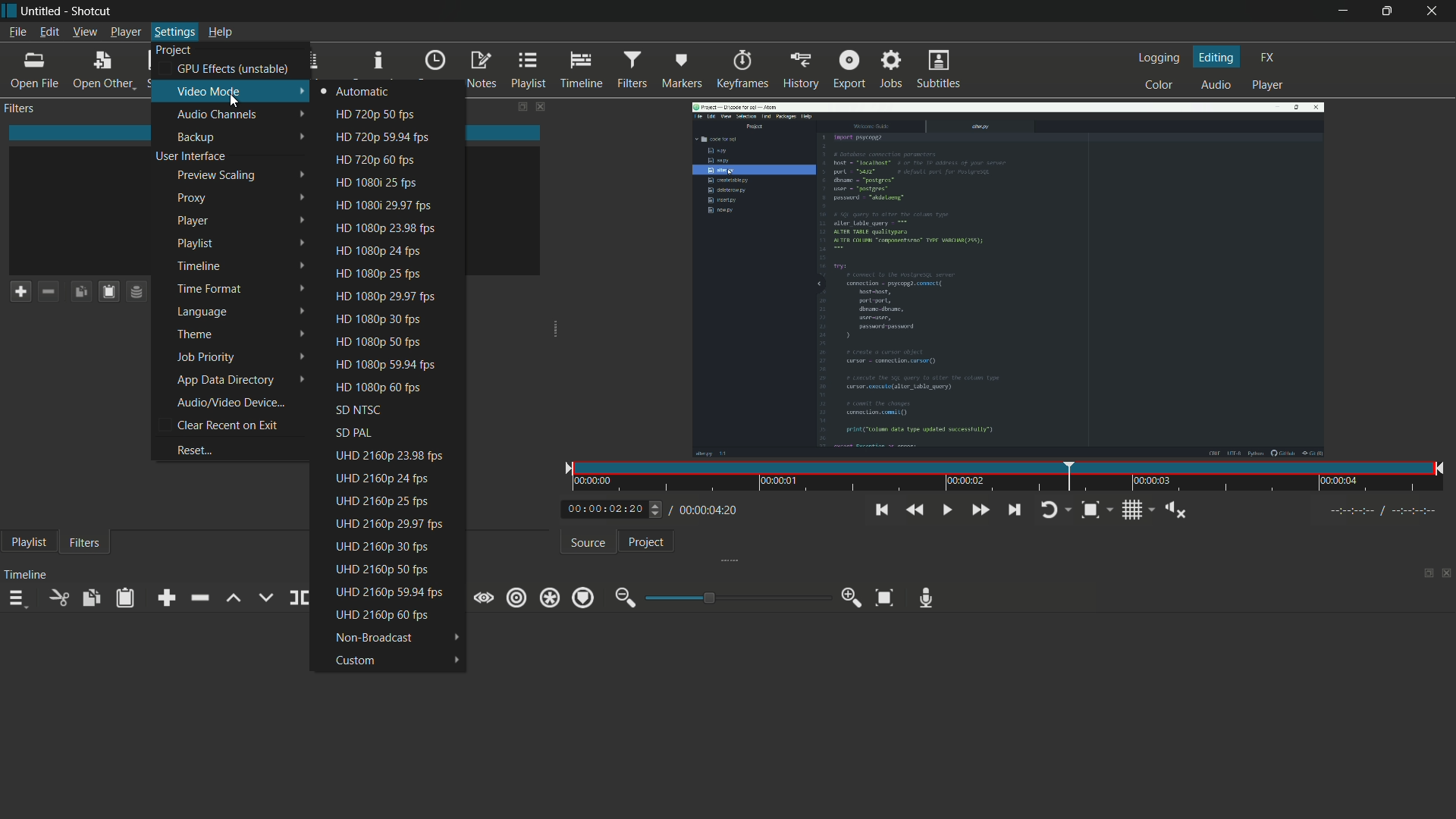 Image resolution: width=1456 pixels, height=819 pixels. What do you see at coordinates (1015, 510) in the screenshot?
I see `skip to the next point` at bounding box center [1015, 510].